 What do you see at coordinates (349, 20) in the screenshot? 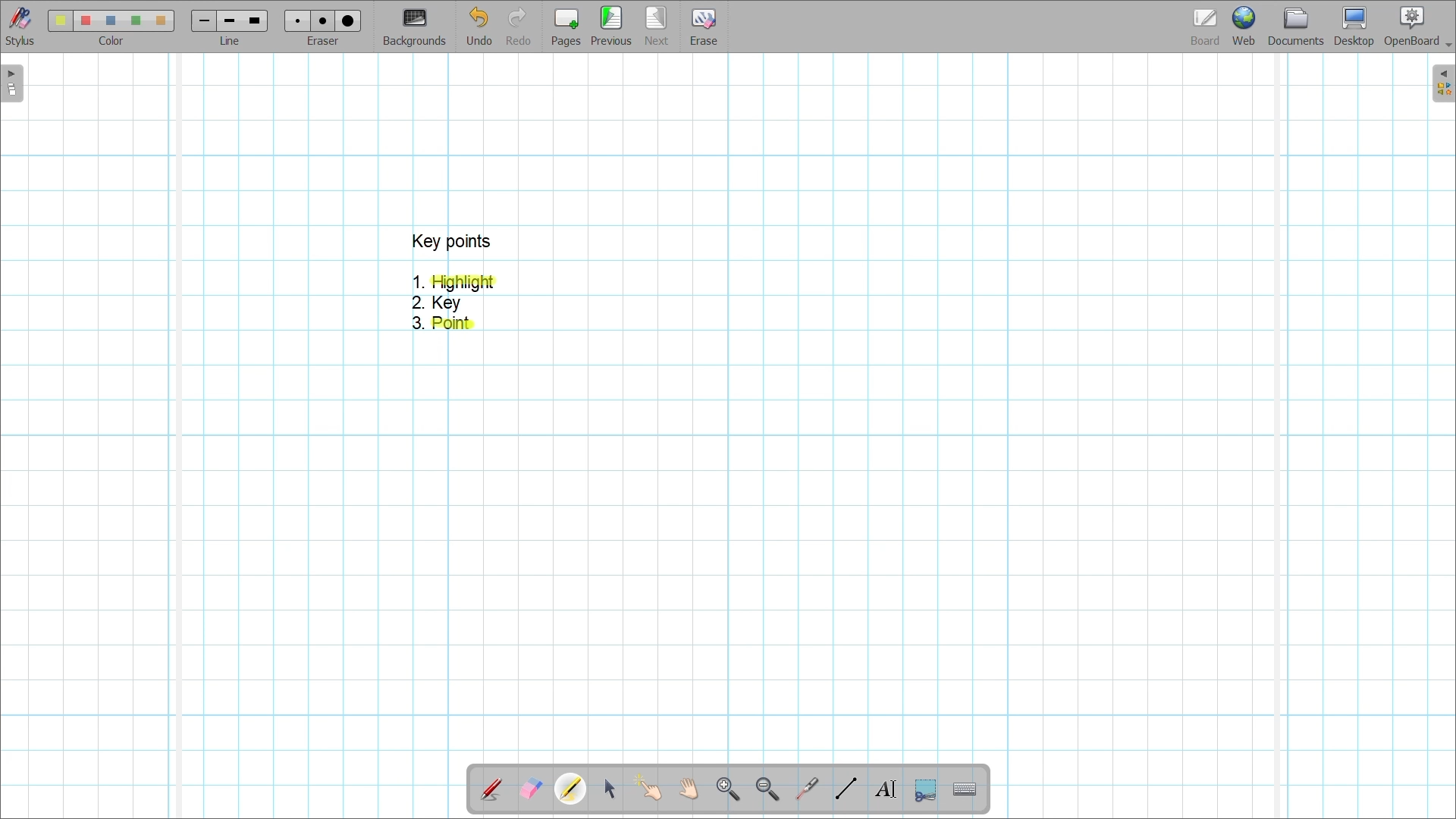
I see `eraser 3` at bounding box center [349, 20].